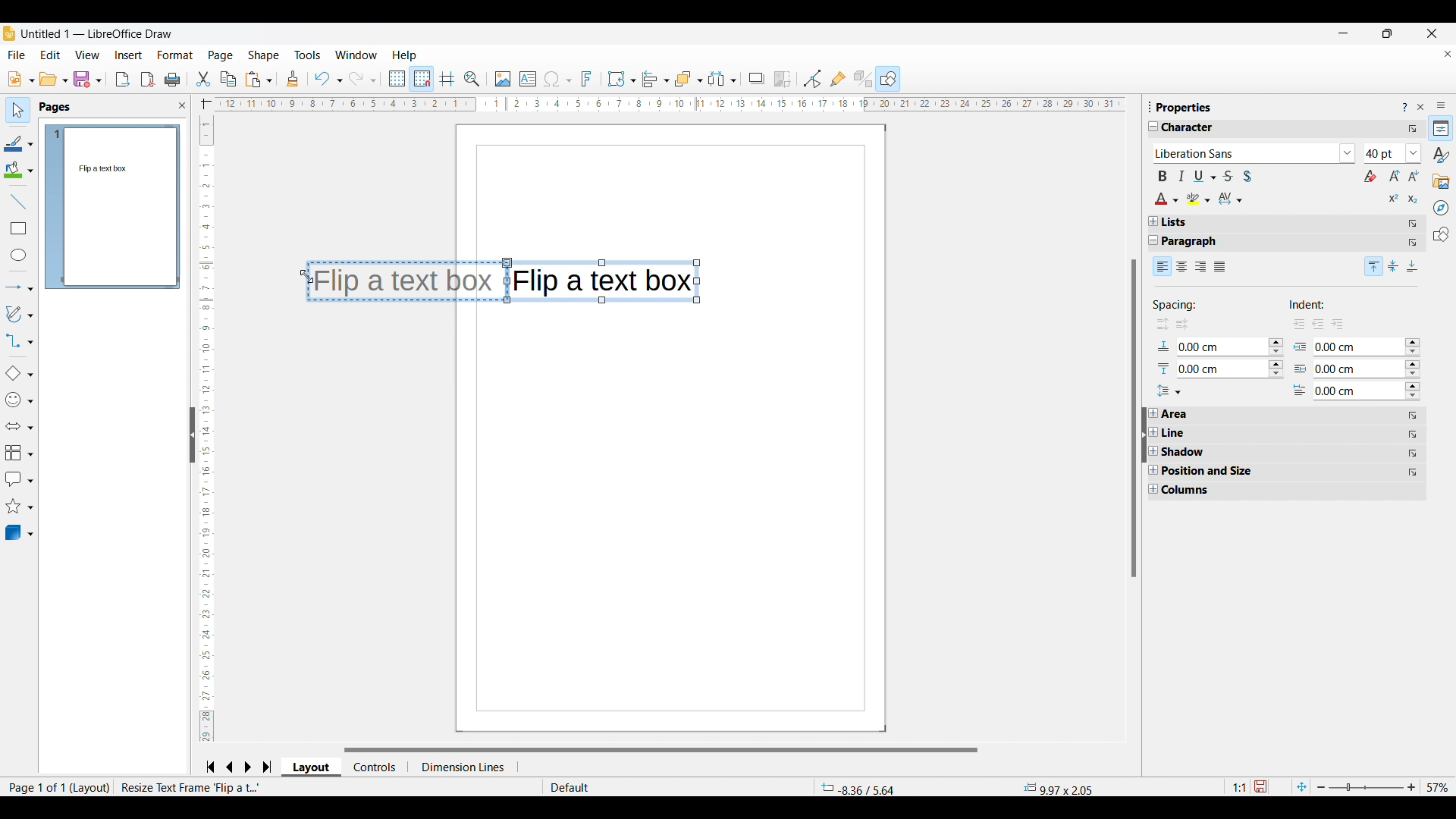 Image resolution: width=1456 pixels, height=819 pixels. Describe the element at coordinates (1185, 107) in the screenshot. I see `properties` at that location.